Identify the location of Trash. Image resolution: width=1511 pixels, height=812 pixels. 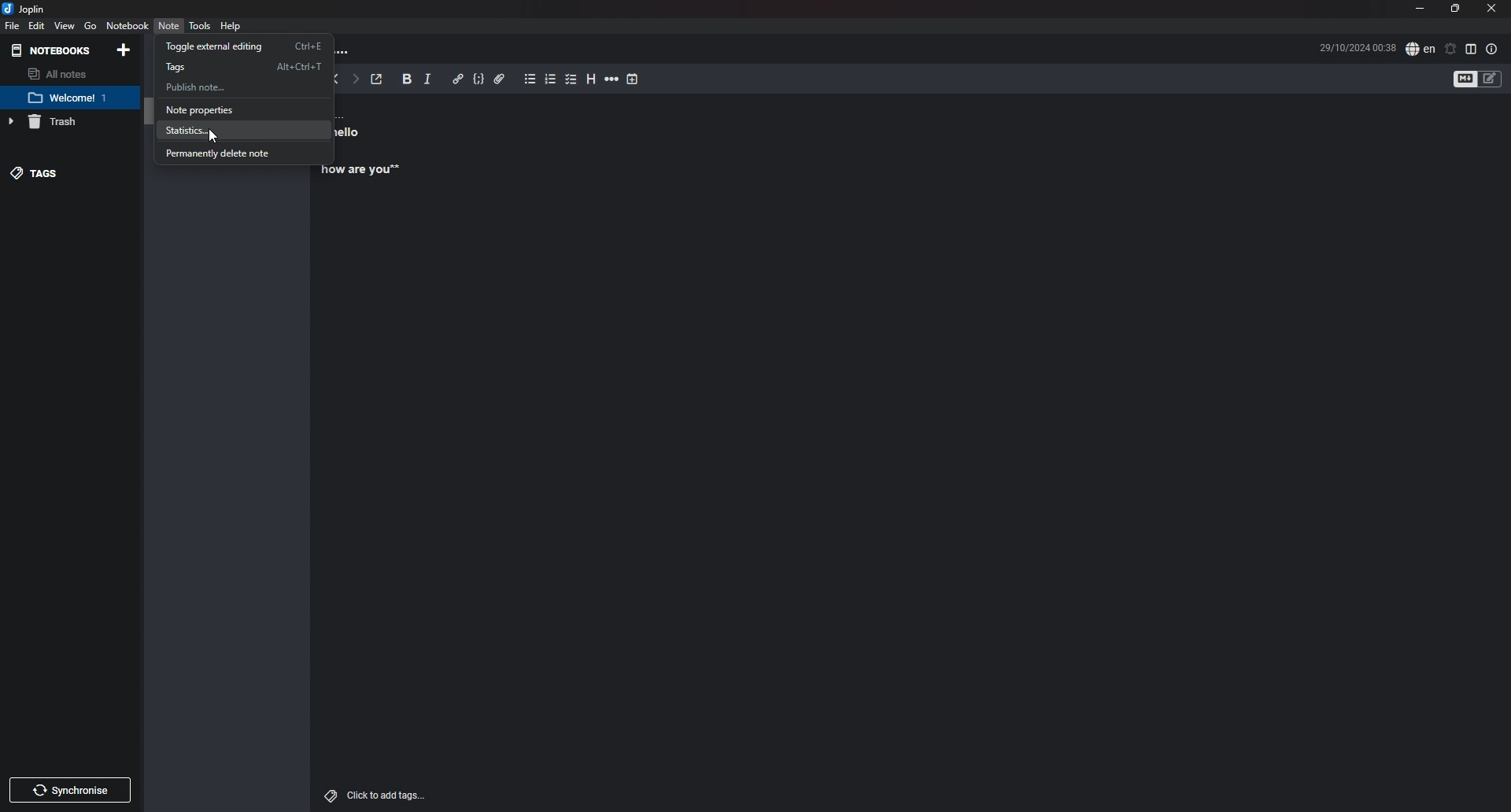
(61, 123).